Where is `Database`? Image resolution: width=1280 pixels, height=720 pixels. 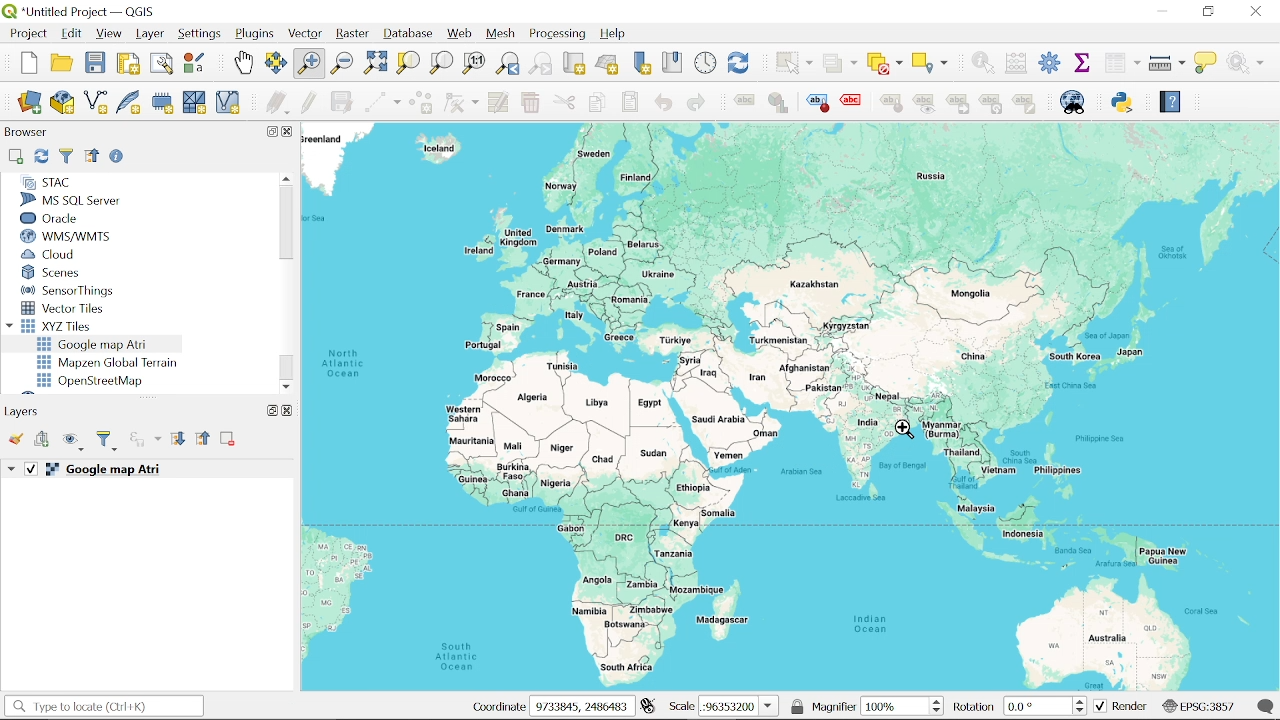 Database is located at coordinates (409, 35).